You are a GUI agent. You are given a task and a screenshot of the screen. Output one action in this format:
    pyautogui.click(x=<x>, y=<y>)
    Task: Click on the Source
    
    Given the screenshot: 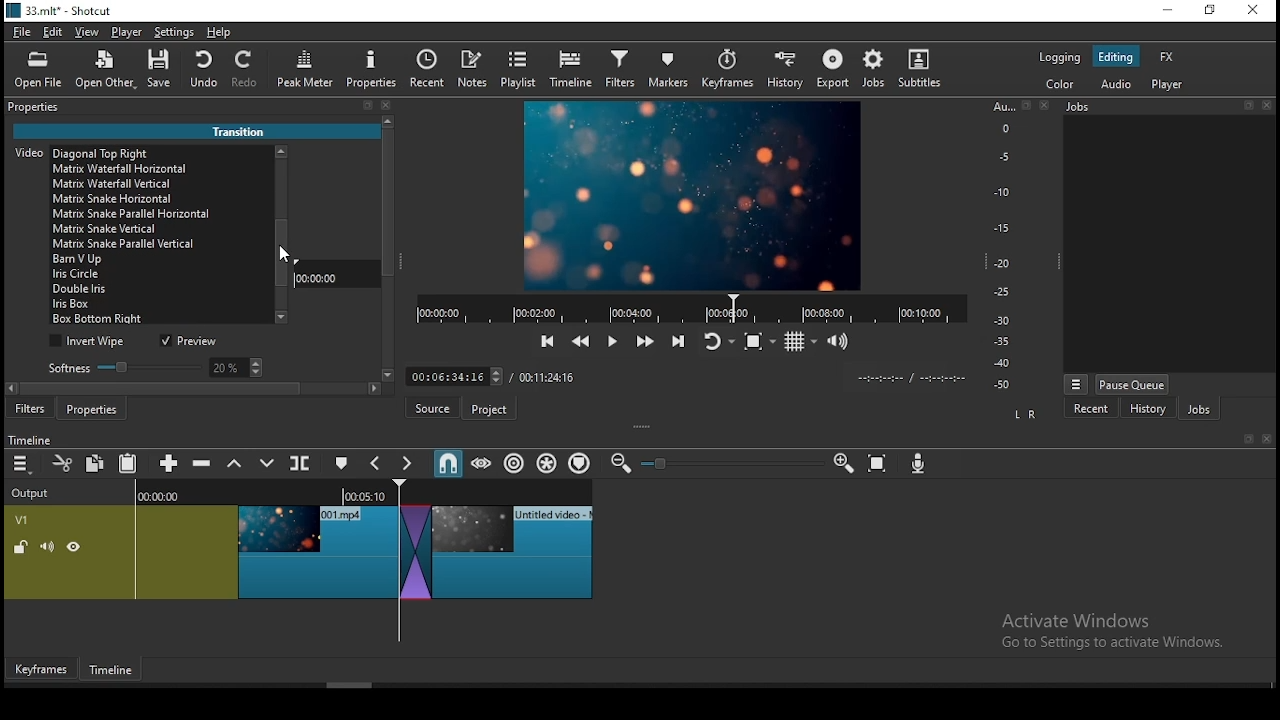 What is the action you would take?
    pyautogui.click(x=430, y=408)
    